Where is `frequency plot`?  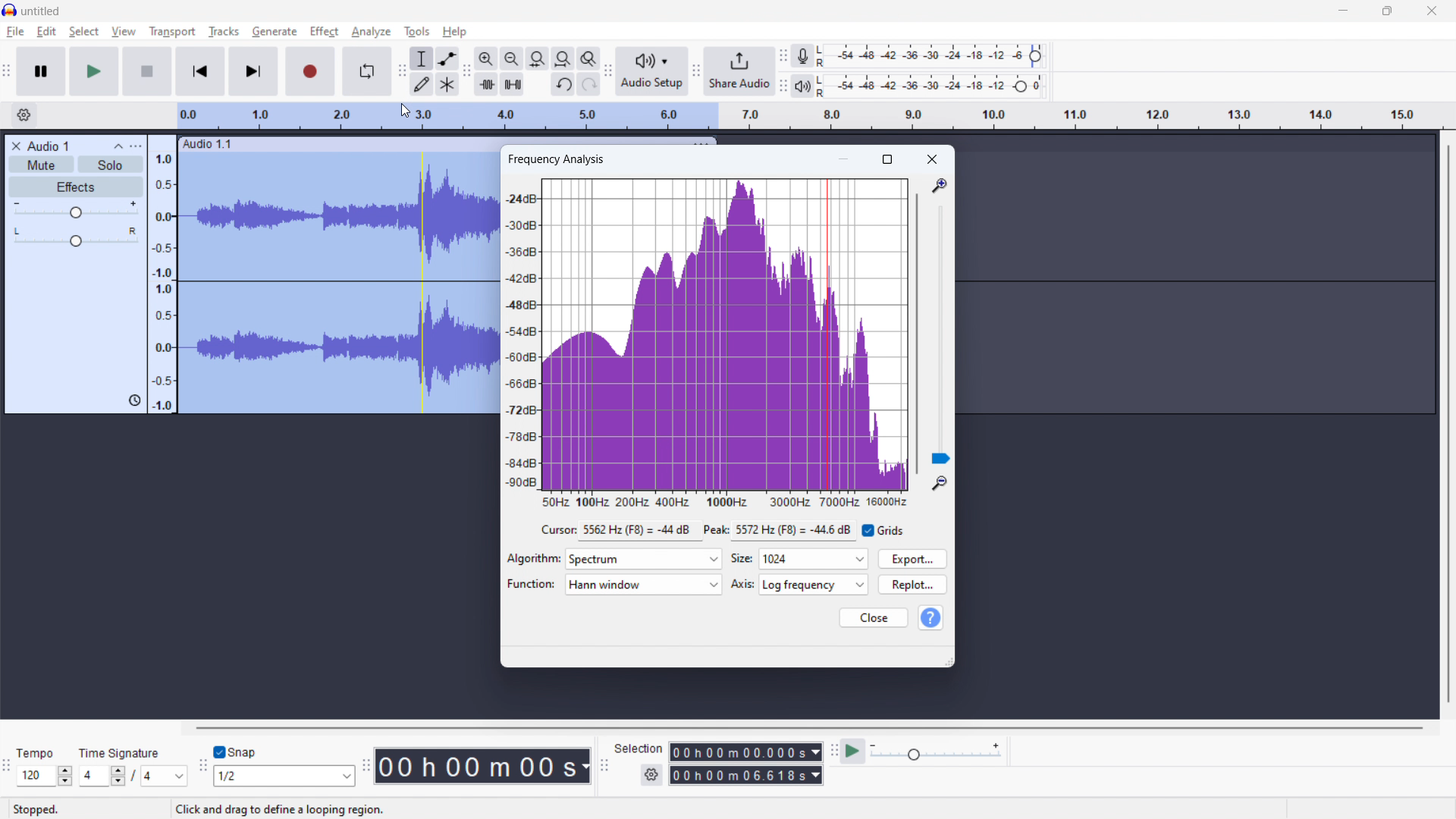
frequency plot is located at coordinates (726, 334).